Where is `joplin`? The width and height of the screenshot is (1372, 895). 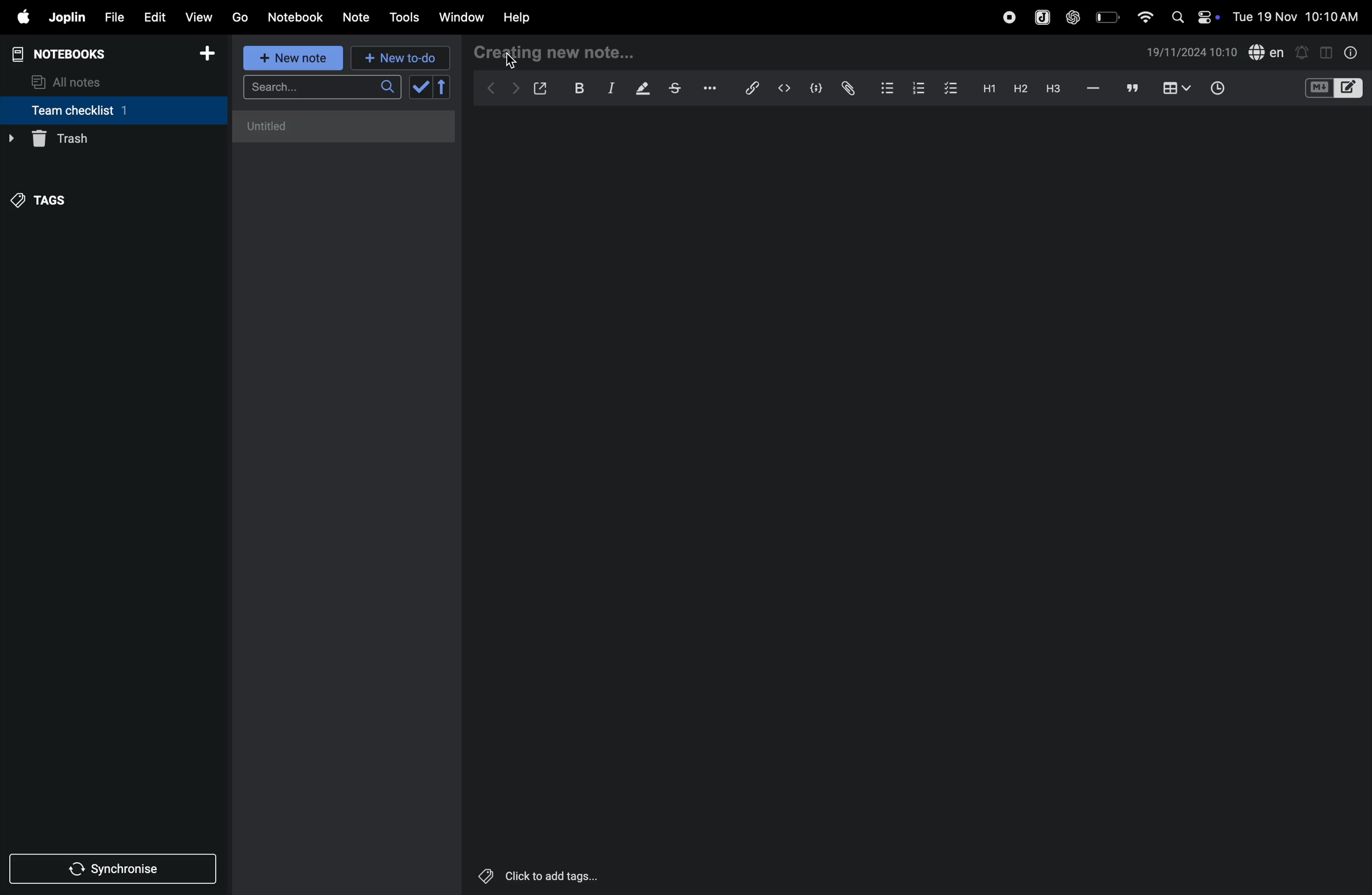 joplin is located at coordinates (1039, 16).